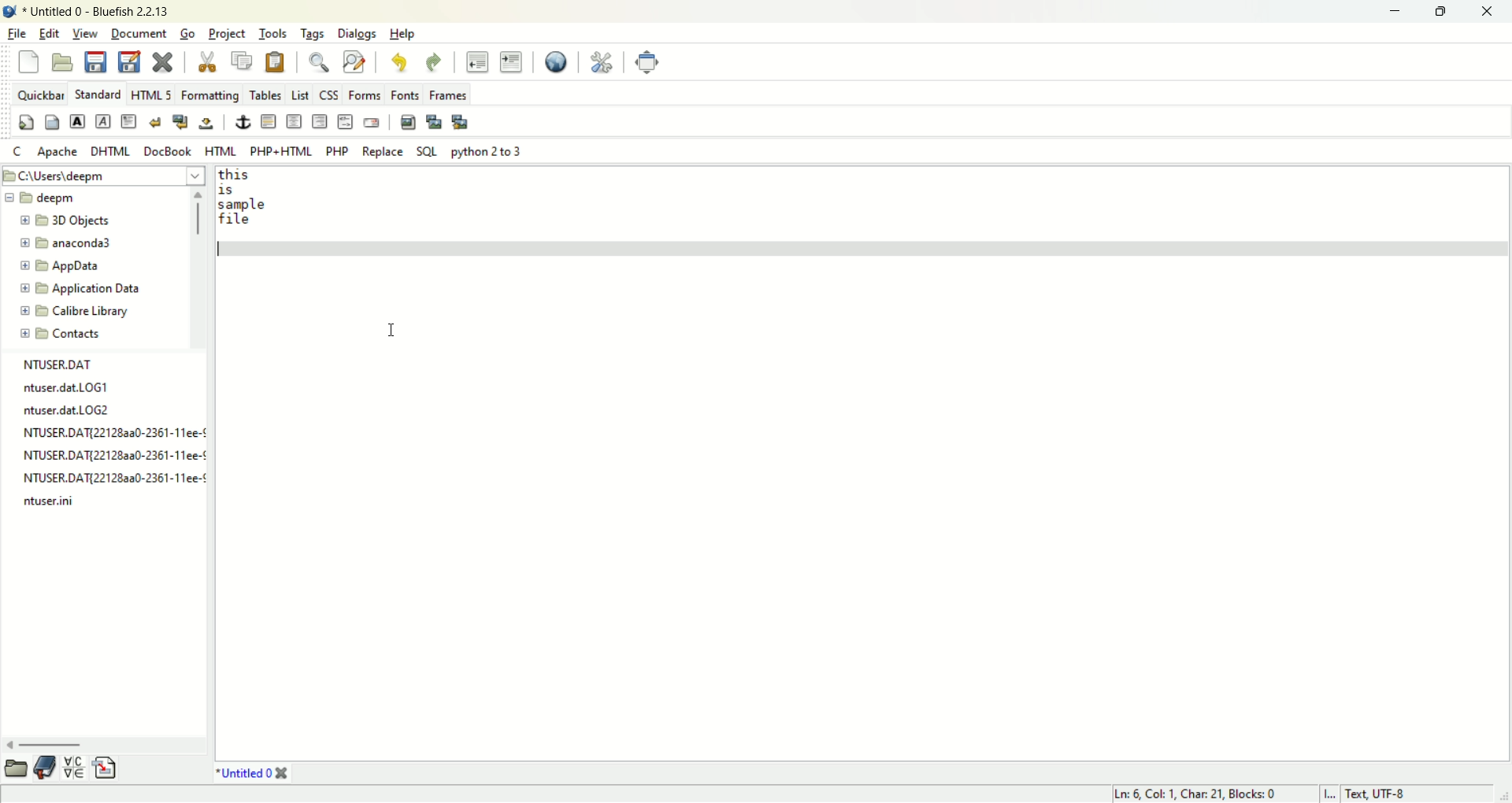 The height and width of the screenshot is (803, 1512). I want to click on app, so click(62, 267).